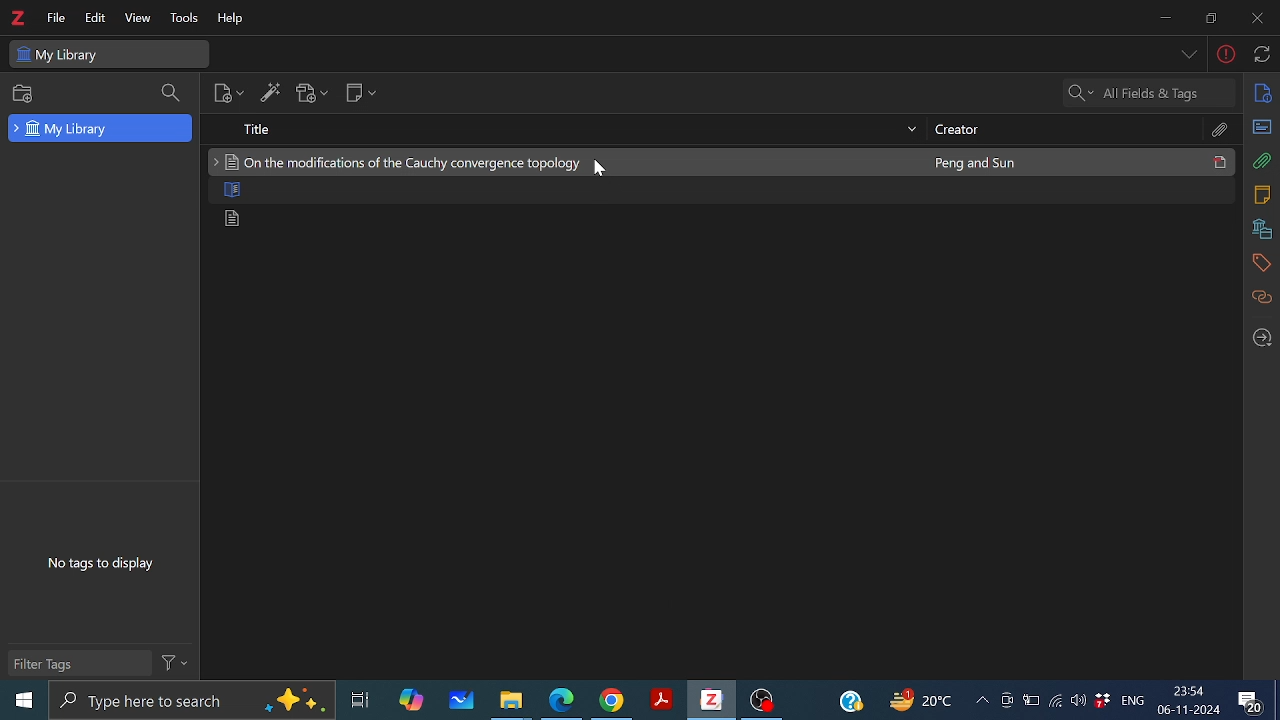  I want to click on Close, so click(1255, 20).